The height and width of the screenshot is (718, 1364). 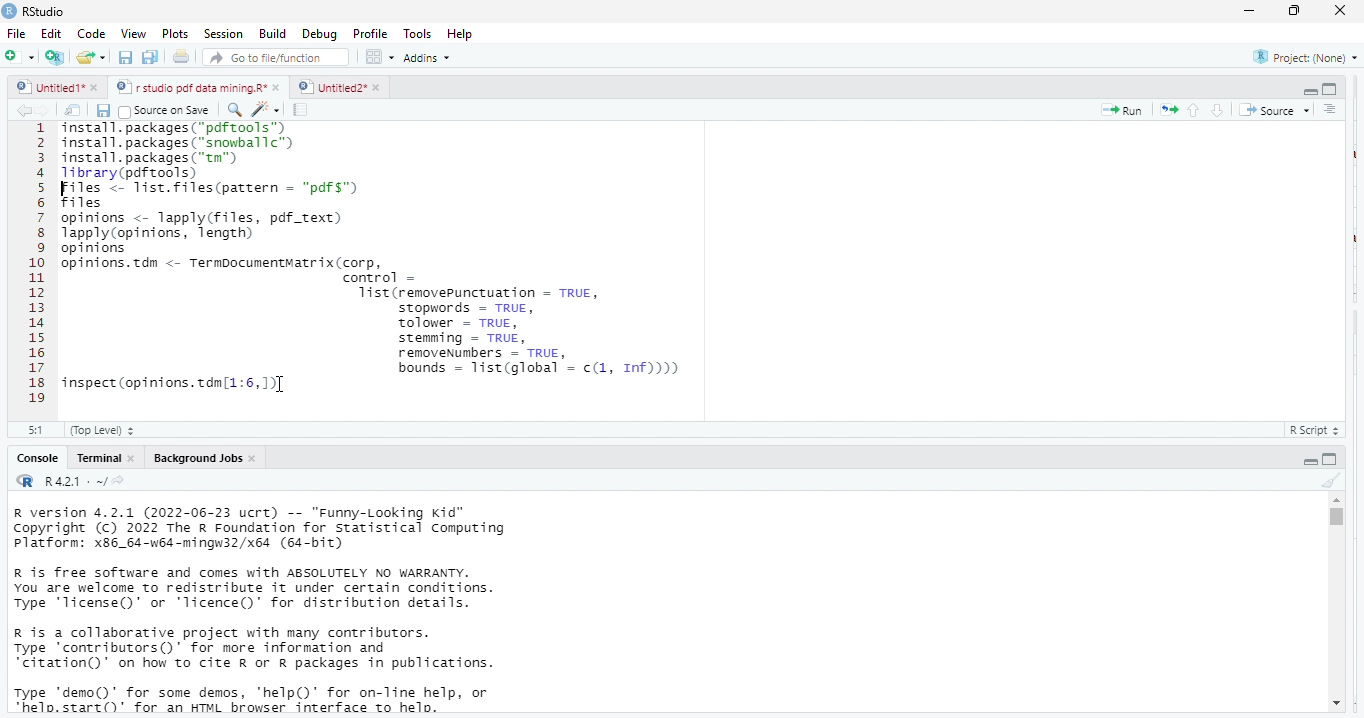 I want to click on untitled1, so click(x=48, y=88).